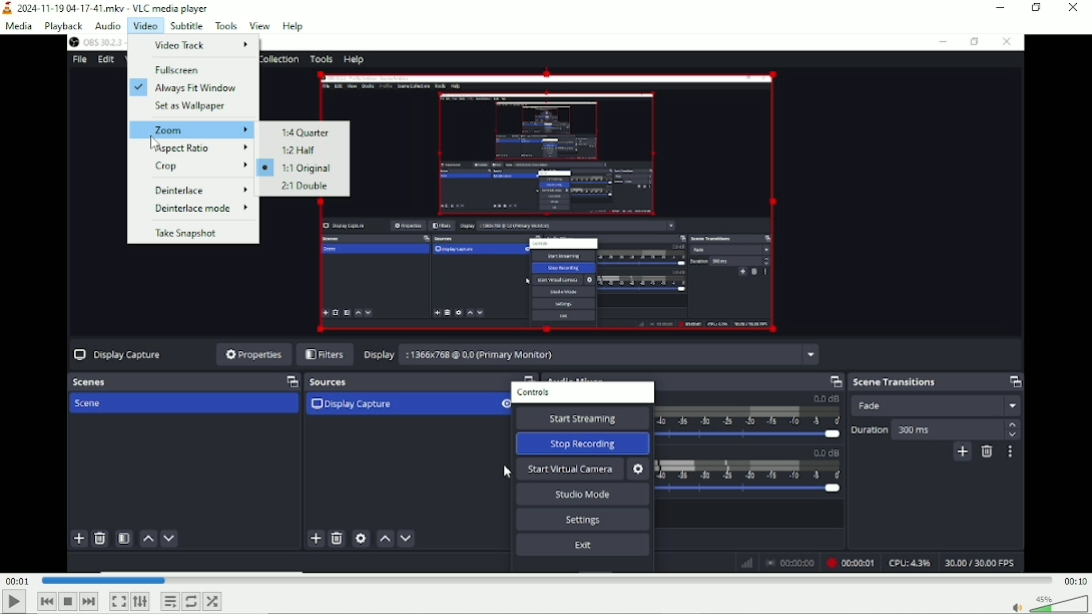 This screenshot has width=1092, height=614. I want to click on help, so click(293, 25).